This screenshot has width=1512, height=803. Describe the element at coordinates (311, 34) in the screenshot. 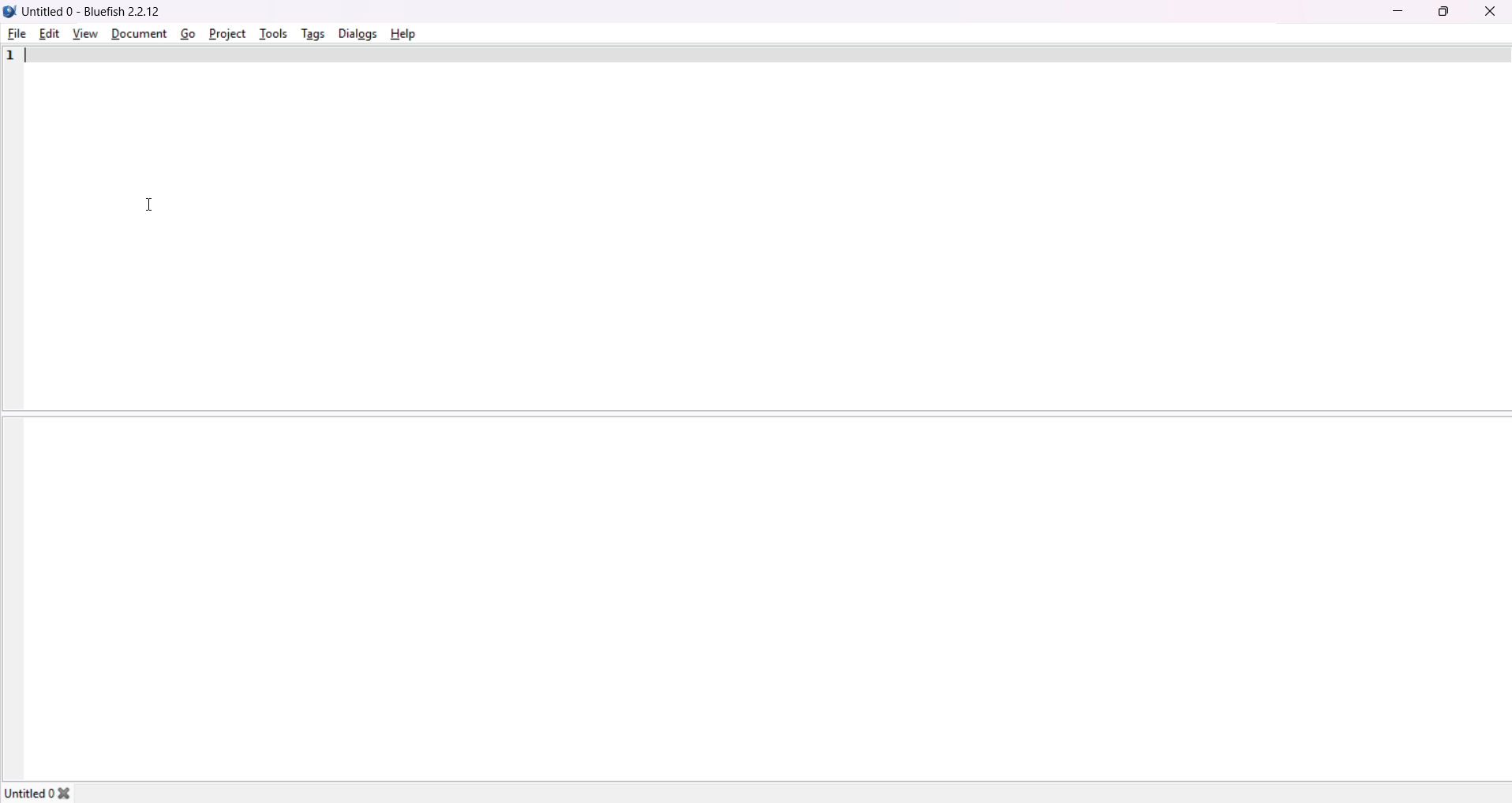

I see `tags` at that location.